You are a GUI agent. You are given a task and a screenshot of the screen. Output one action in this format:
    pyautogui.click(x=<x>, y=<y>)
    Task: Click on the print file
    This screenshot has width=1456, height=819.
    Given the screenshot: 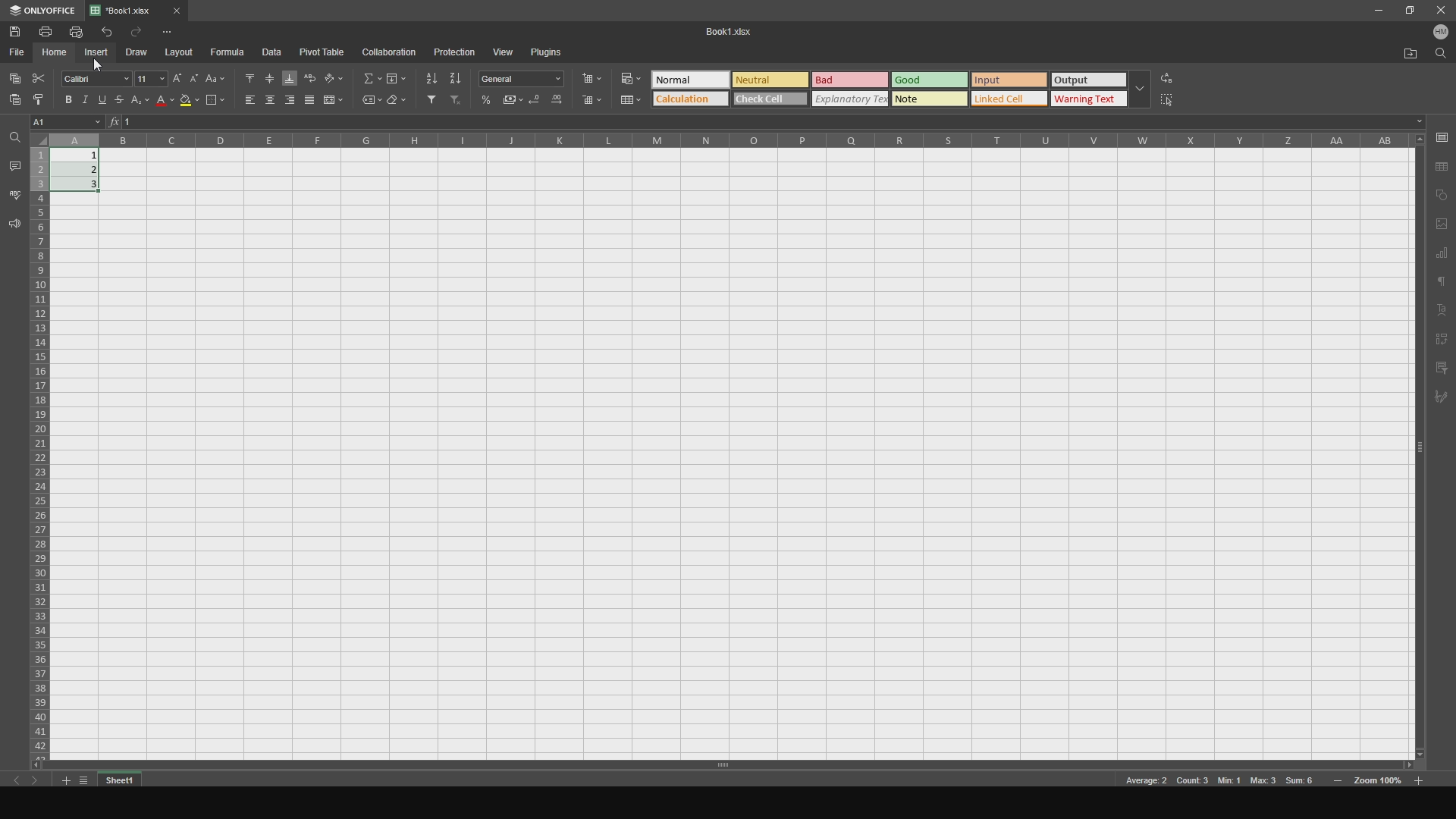 What is the action you would take?
    pyautogui.click(x=77, y=32)
    